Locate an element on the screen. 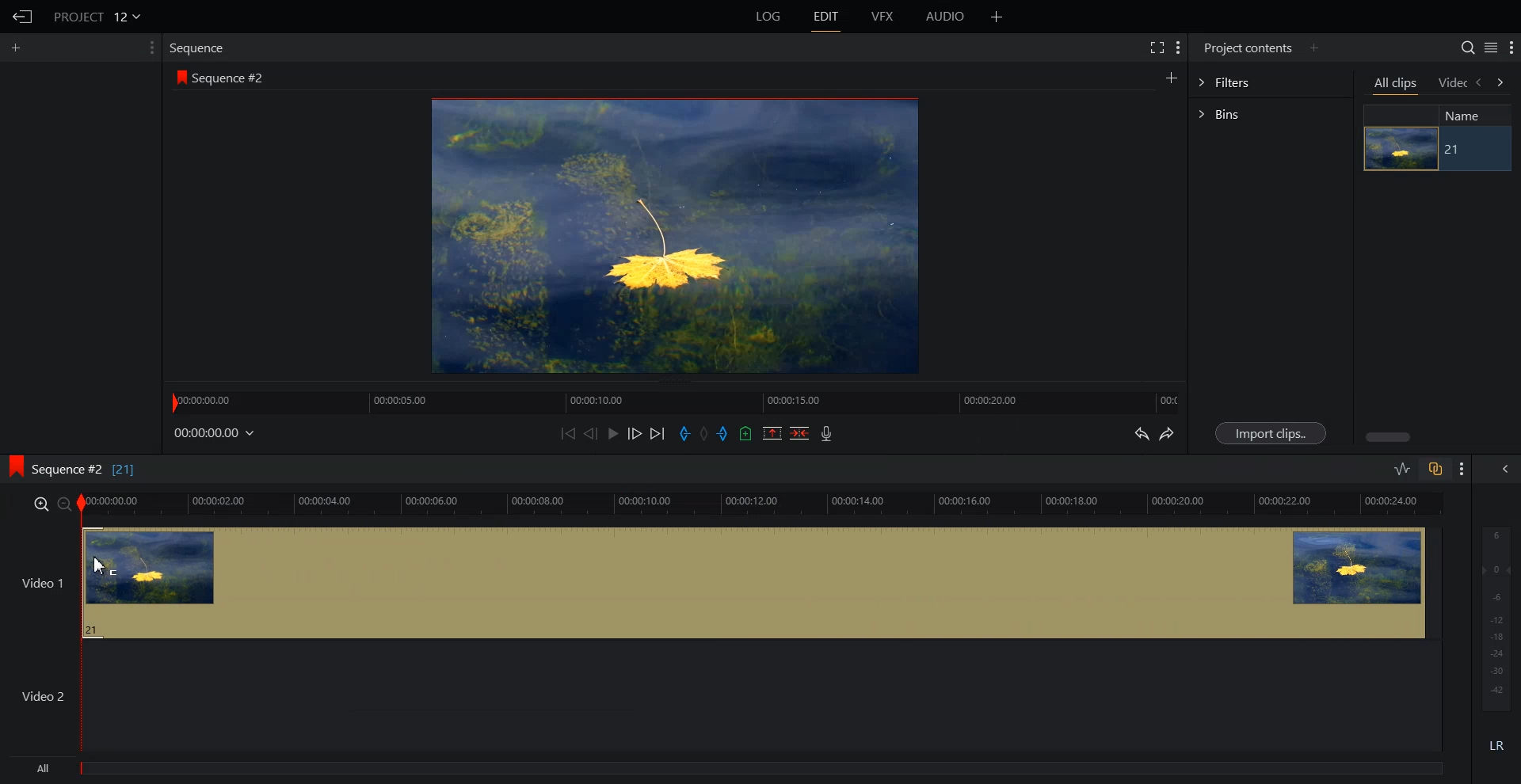 Image resolution: width=1521 pixels, height=784 pixels. Mute is located at coordinates (1497, 745).